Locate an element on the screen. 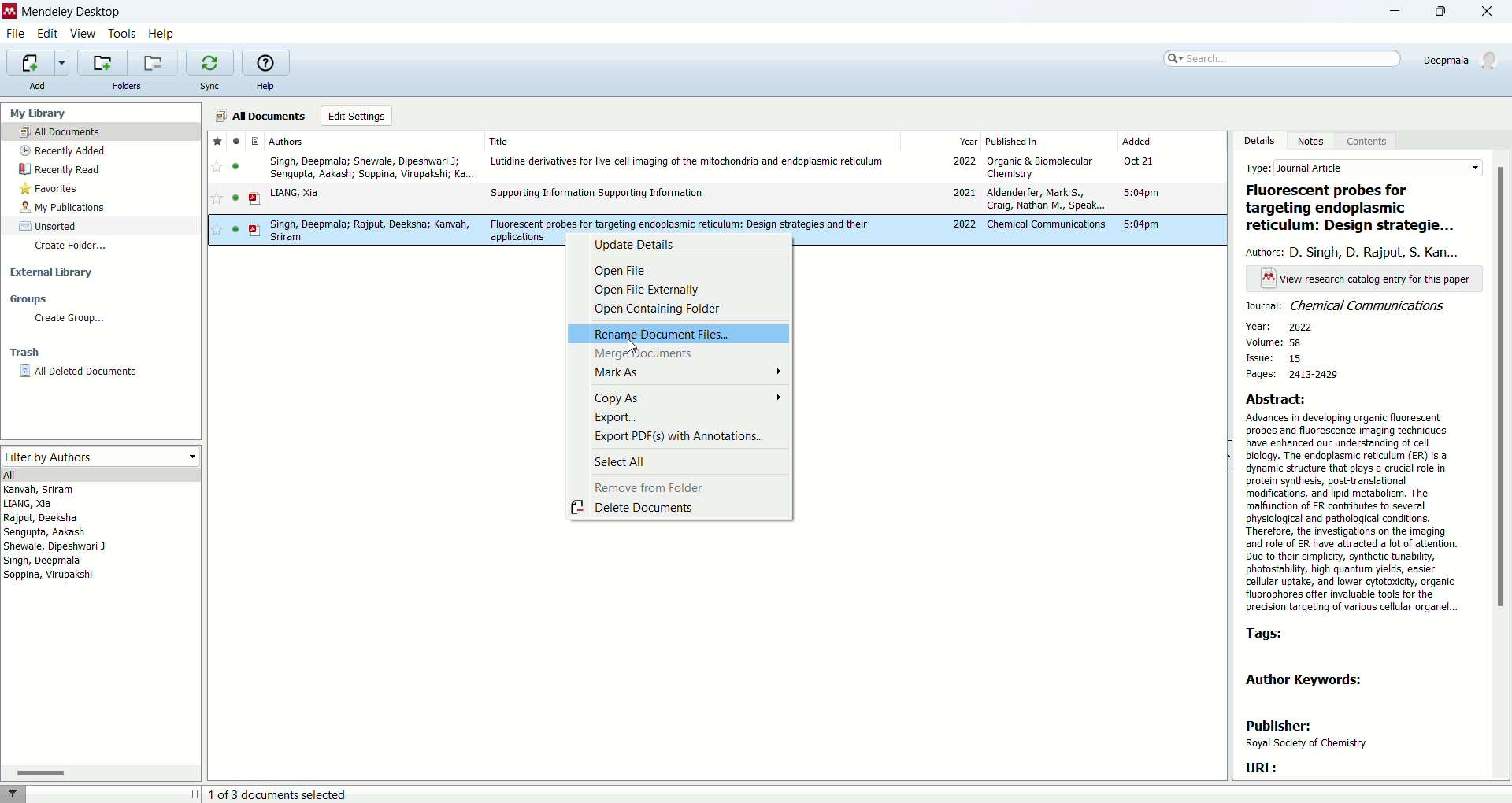 The image size is (1512, 803). recently read is located at coordinates (59, 169).